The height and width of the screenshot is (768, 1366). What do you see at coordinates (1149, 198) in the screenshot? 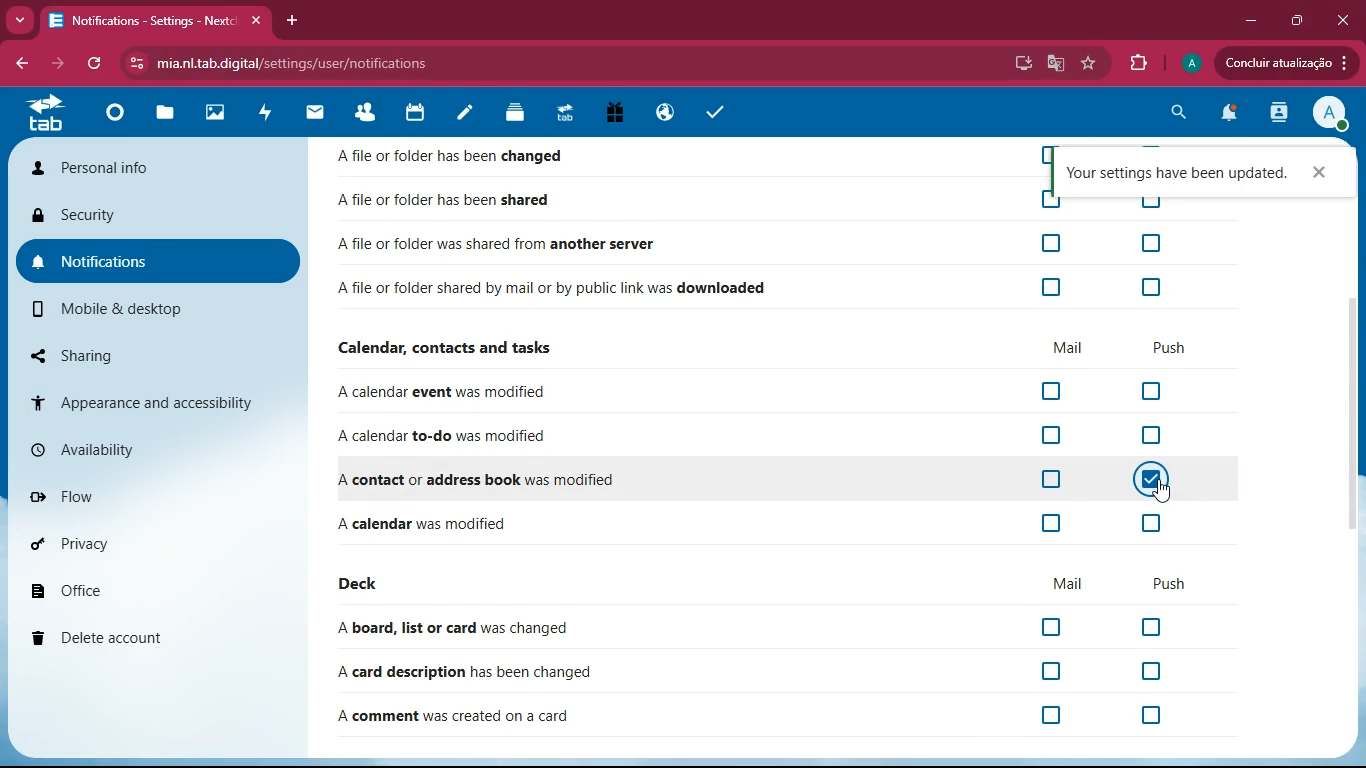
I see `off` at bounding box center [1149, 198].